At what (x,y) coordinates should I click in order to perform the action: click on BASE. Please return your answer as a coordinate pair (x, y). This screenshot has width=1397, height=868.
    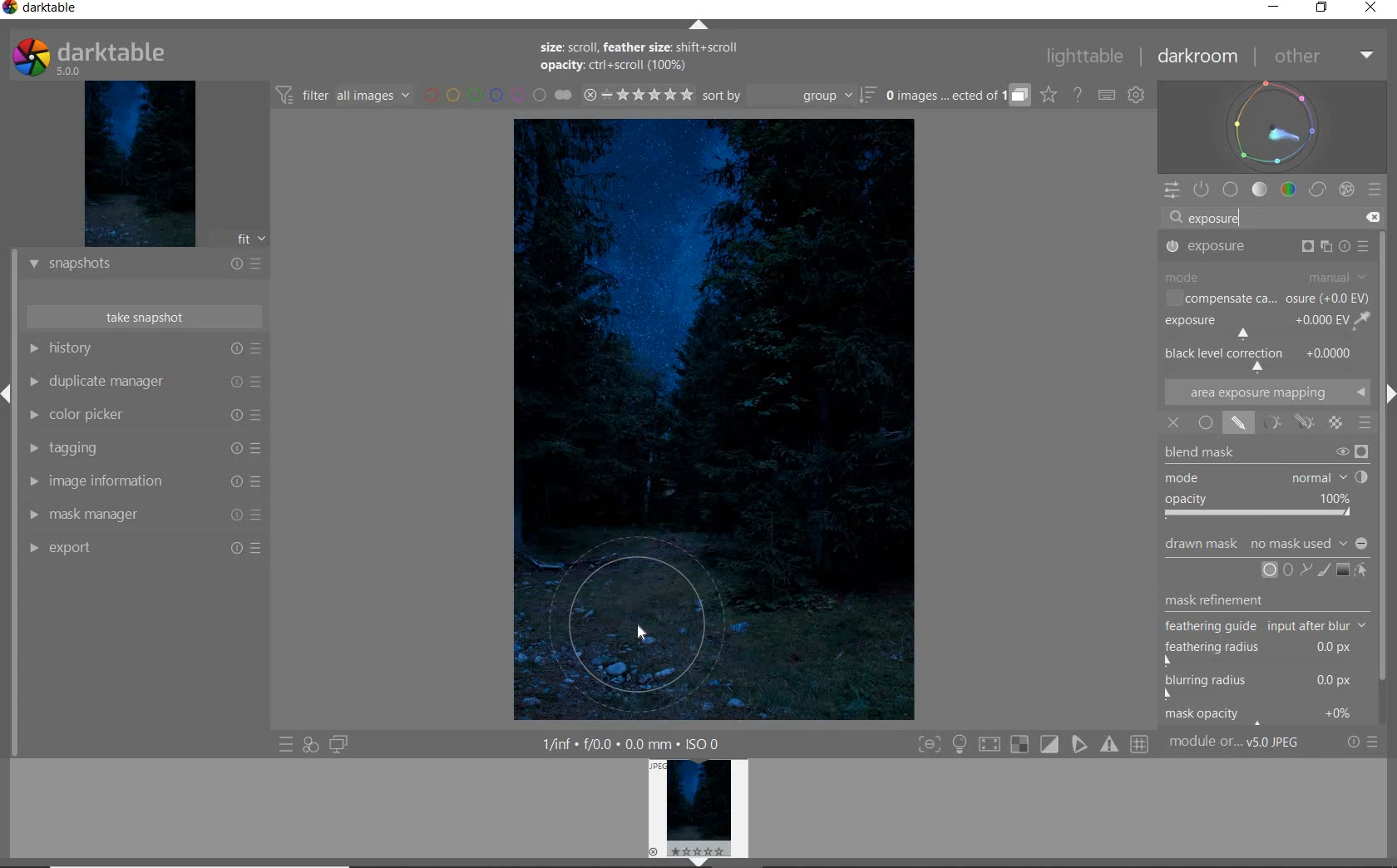
    Looking at the image, I should click on (1231, 189).